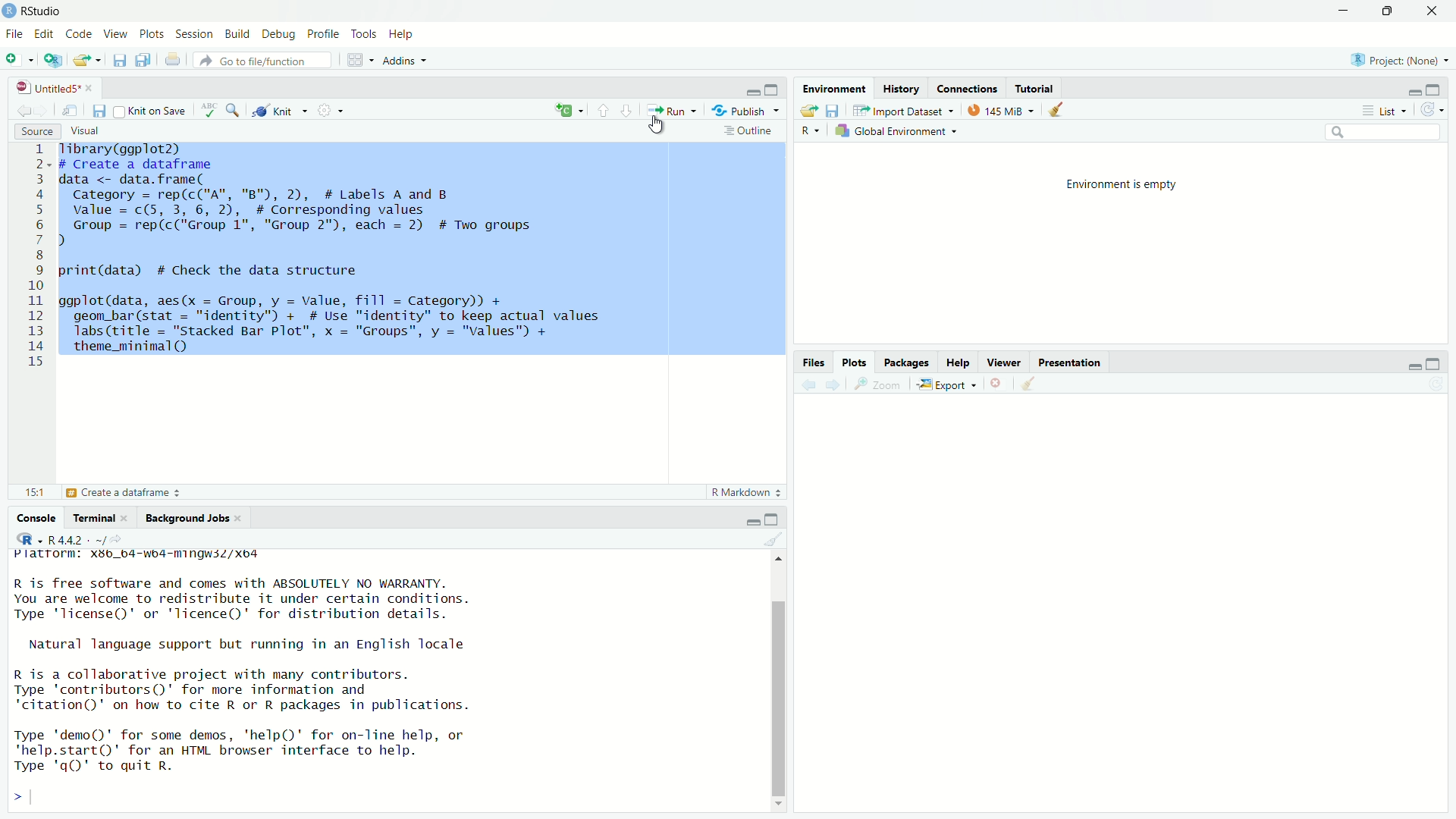 This screenshot has width=1456, height=819. What do you see at coordinates (43, 108) in the screenshot?
I see `Go forward to the next source location (Ctrl + F10)` at bounding box center [43, 108].